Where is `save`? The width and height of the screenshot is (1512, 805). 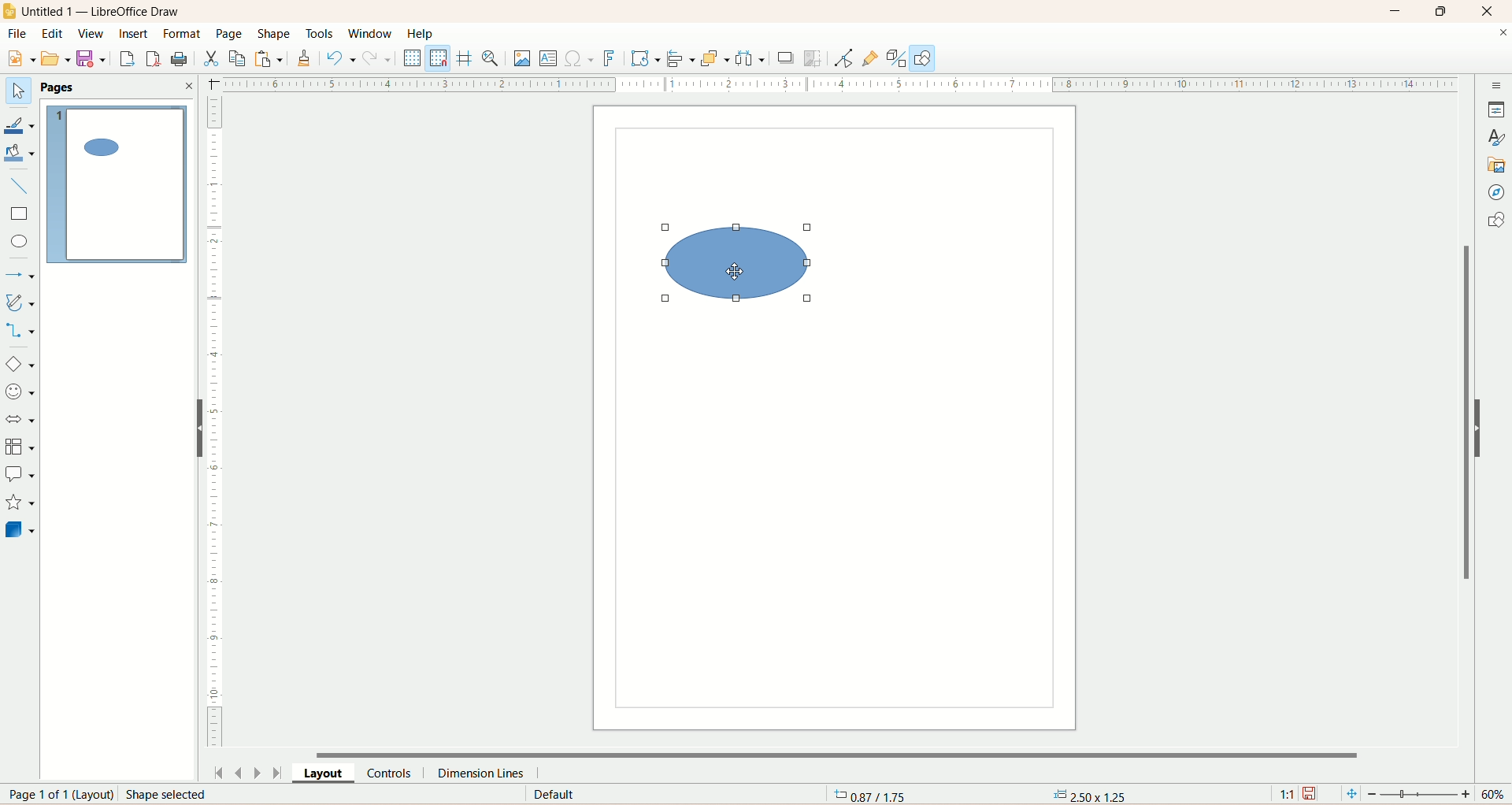 save is located at coordinates (1312, 793).